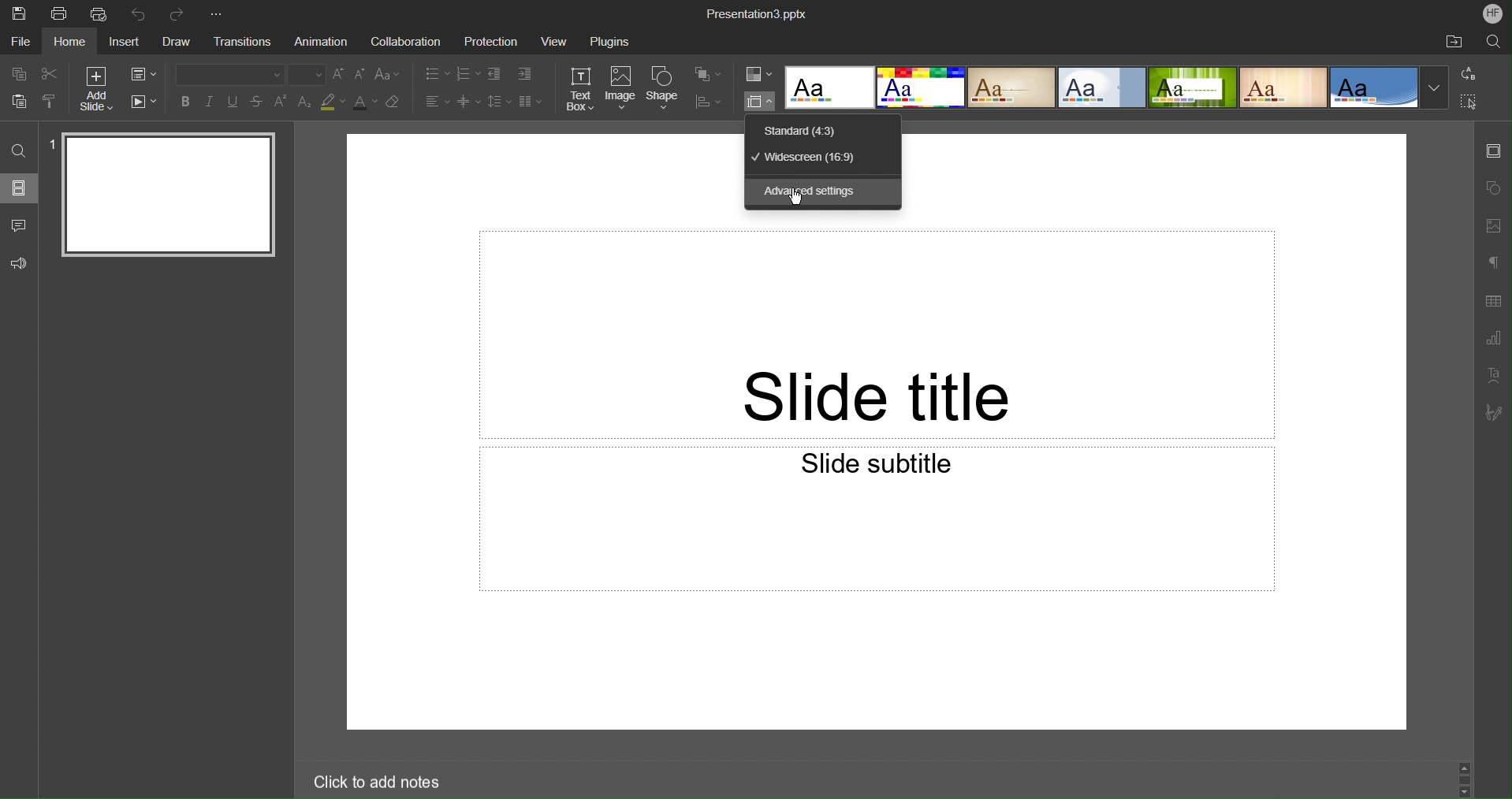  I want to click on Image, so click(621, 89).